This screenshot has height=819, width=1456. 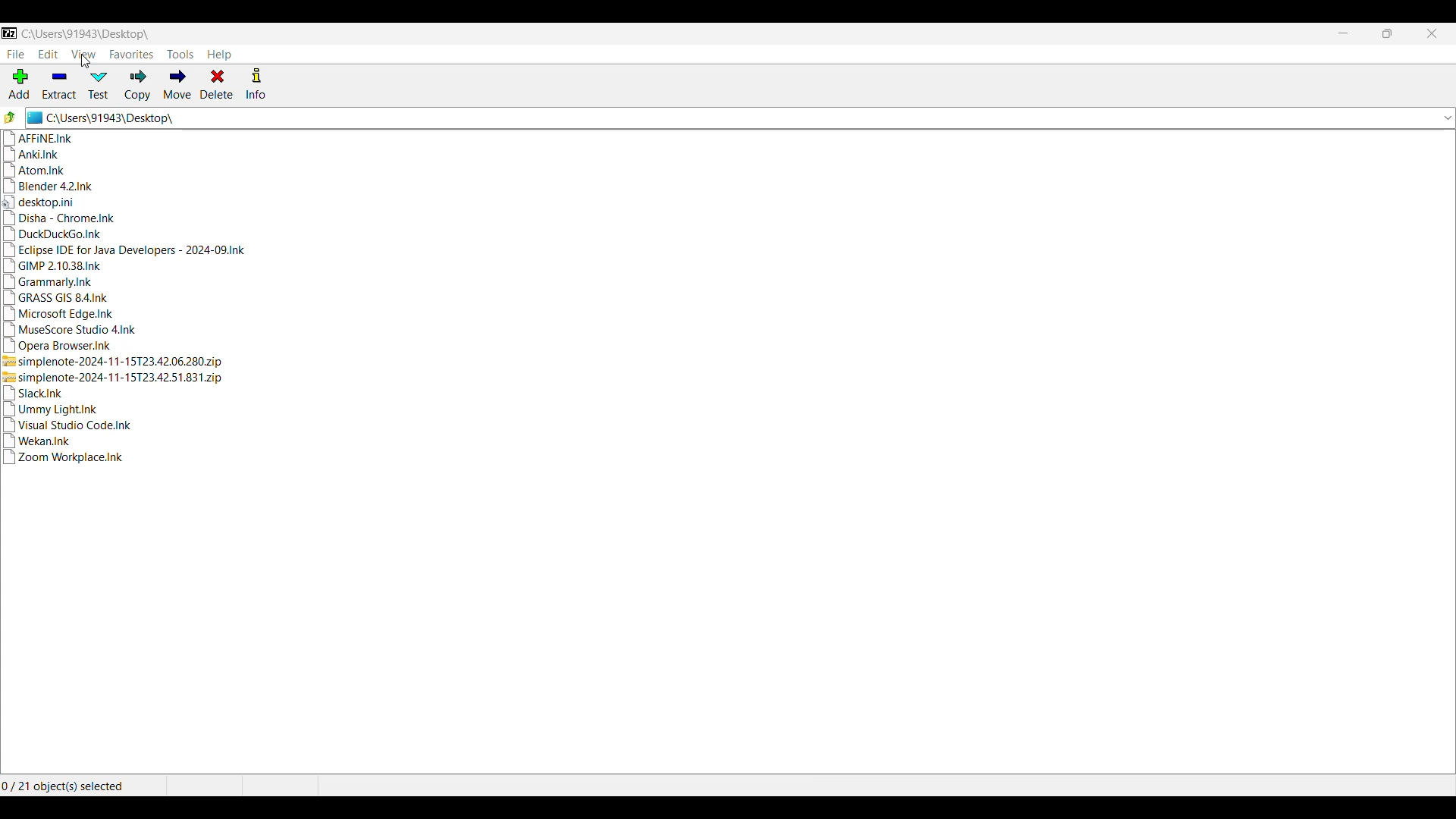 I want to click on Add, so click(x=20, y=84).